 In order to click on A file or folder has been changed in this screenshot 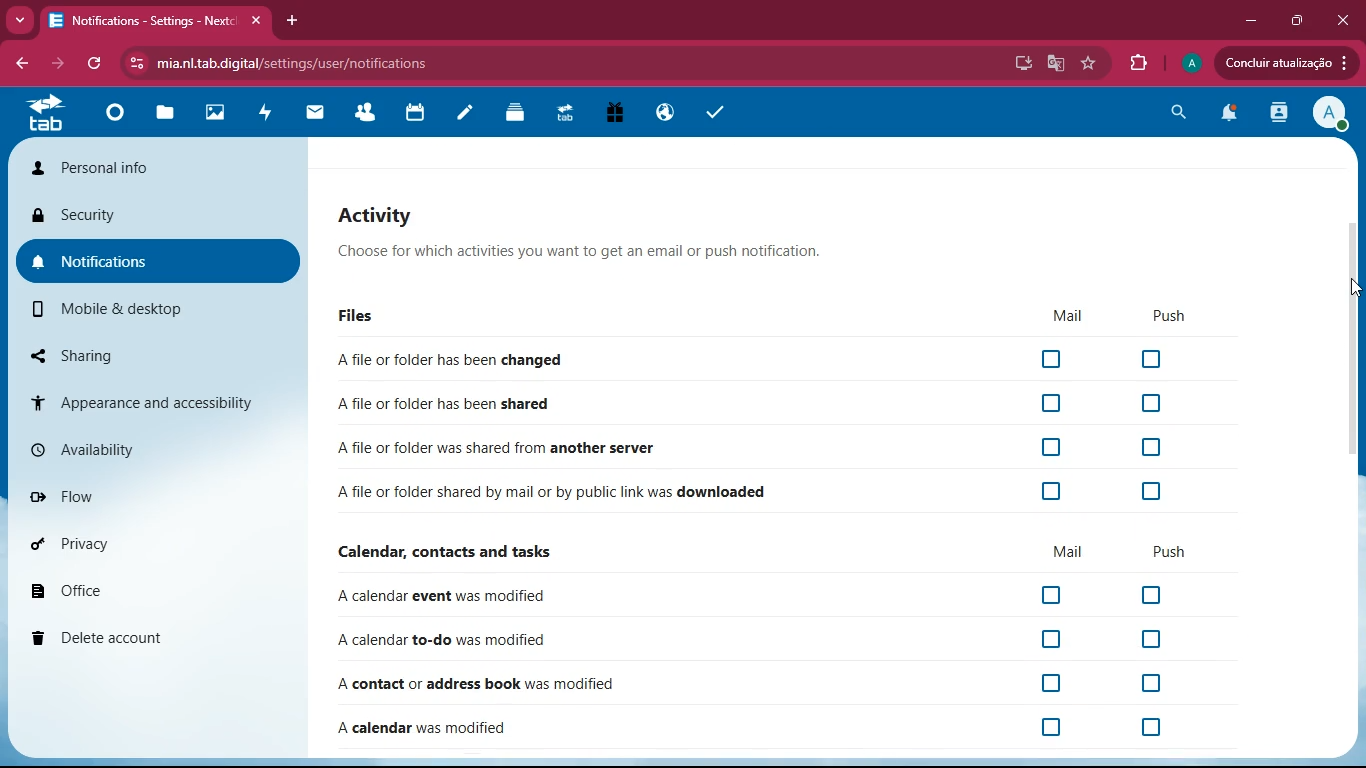, I will do `click(449, 361)`.